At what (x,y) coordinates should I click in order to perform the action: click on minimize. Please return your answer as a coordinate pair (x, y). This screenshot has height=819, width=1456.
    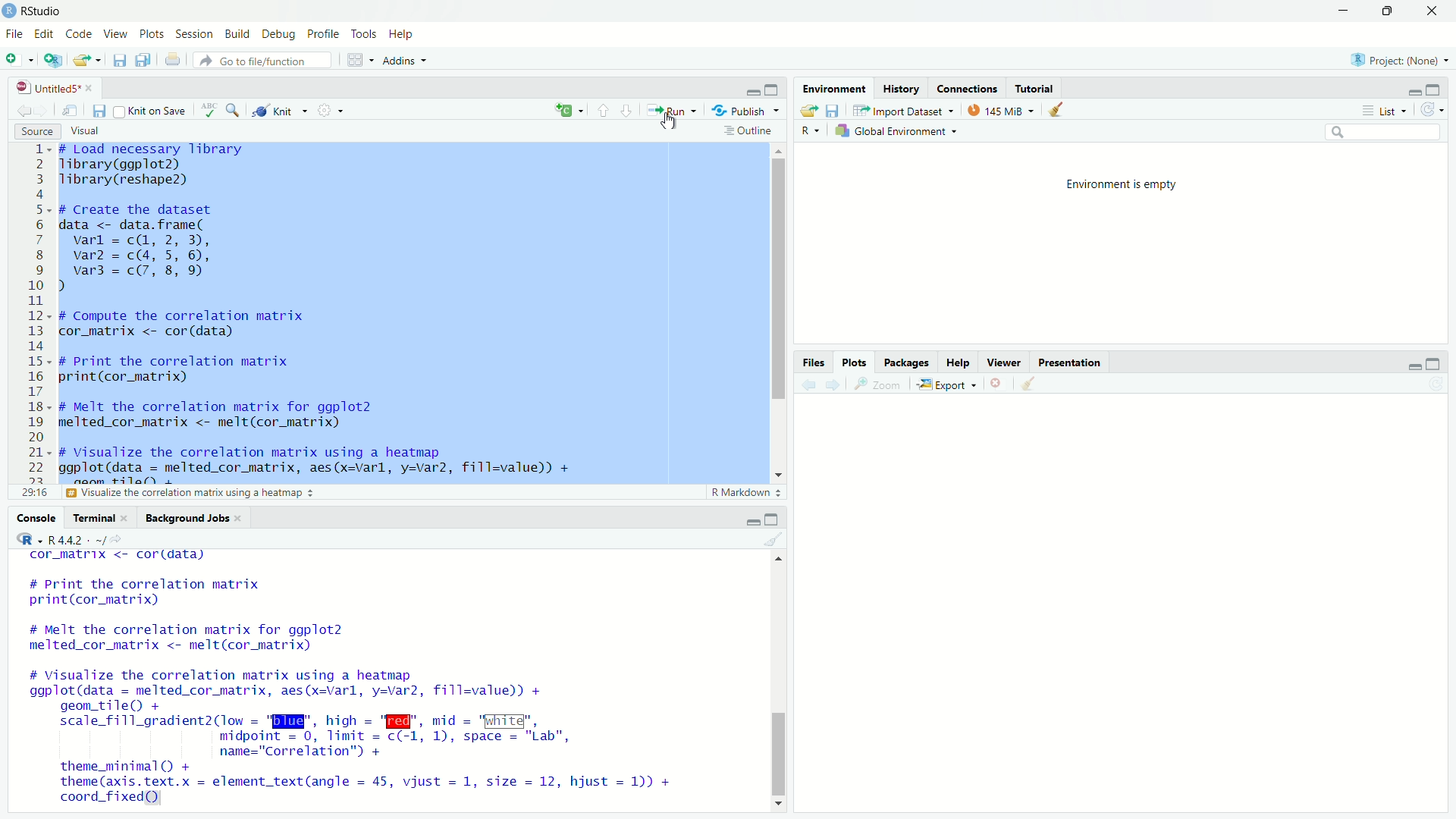
    Looking at the image, I should click on (1416, 365).